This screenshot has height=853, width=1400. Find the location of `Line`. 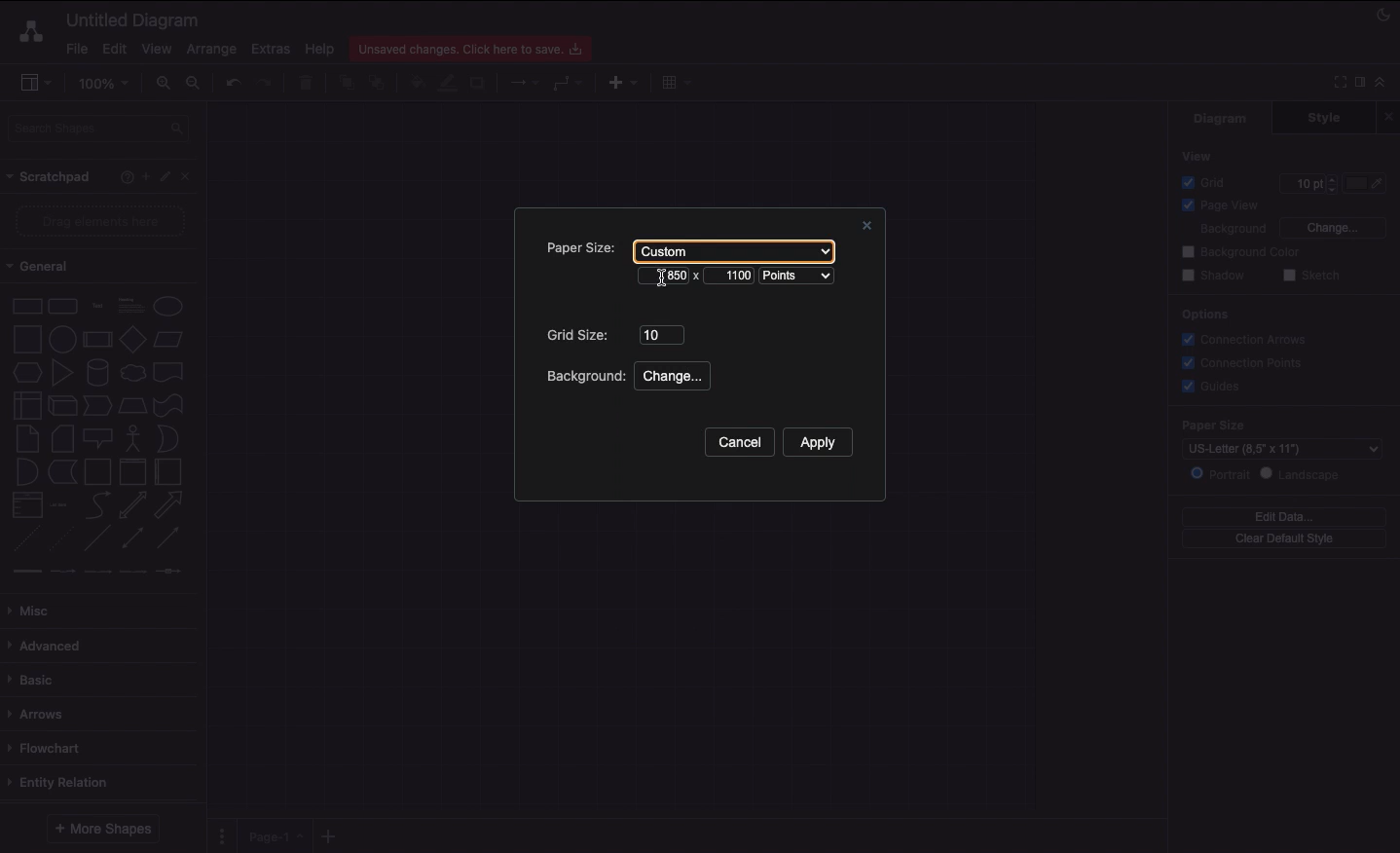

Line is located at coordinates (97, 539).